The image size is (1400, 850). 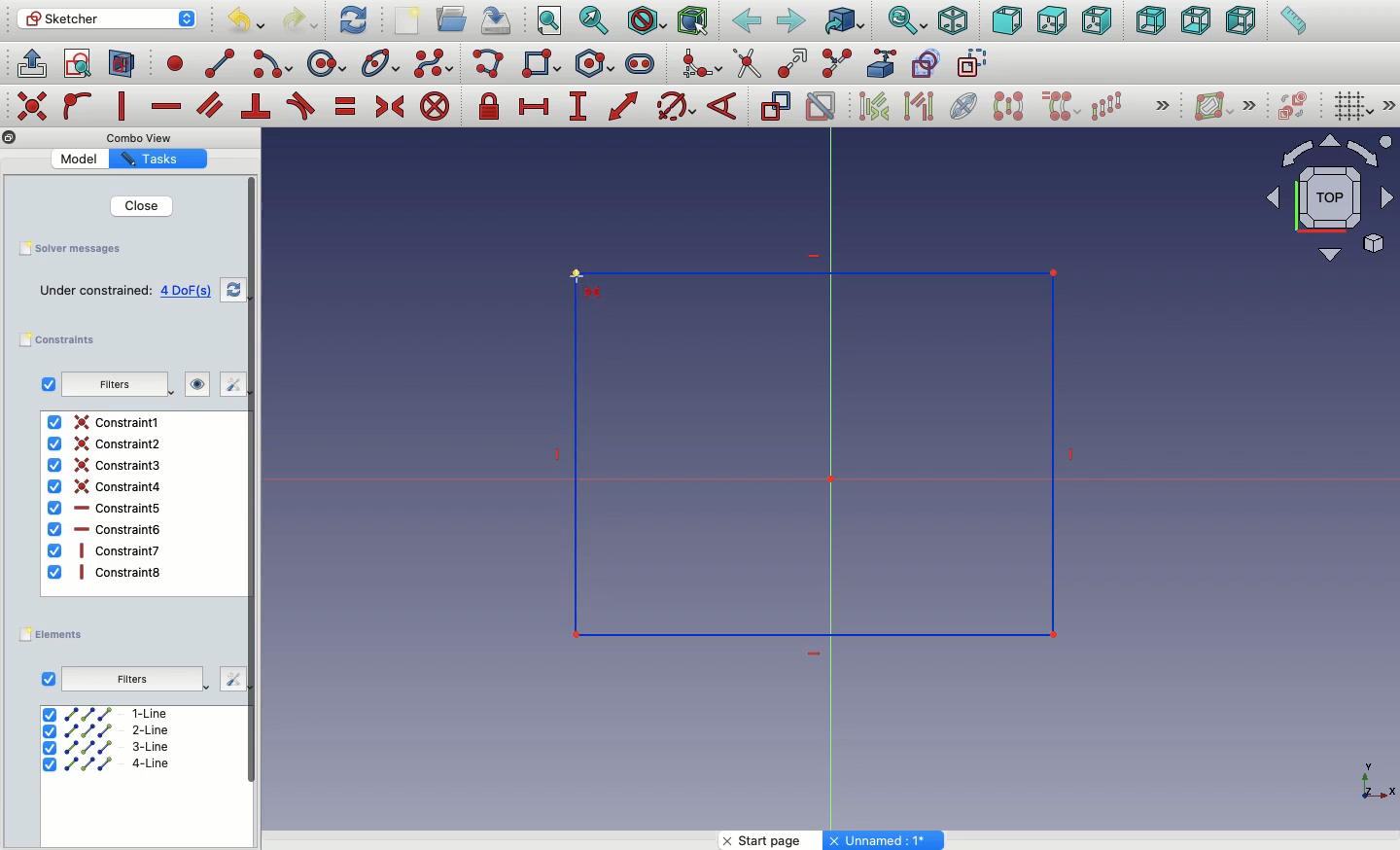 What do you see at coordinates (105, 549) in the screenshot?
I see `Constraint7` at bounding box center [105, 549].